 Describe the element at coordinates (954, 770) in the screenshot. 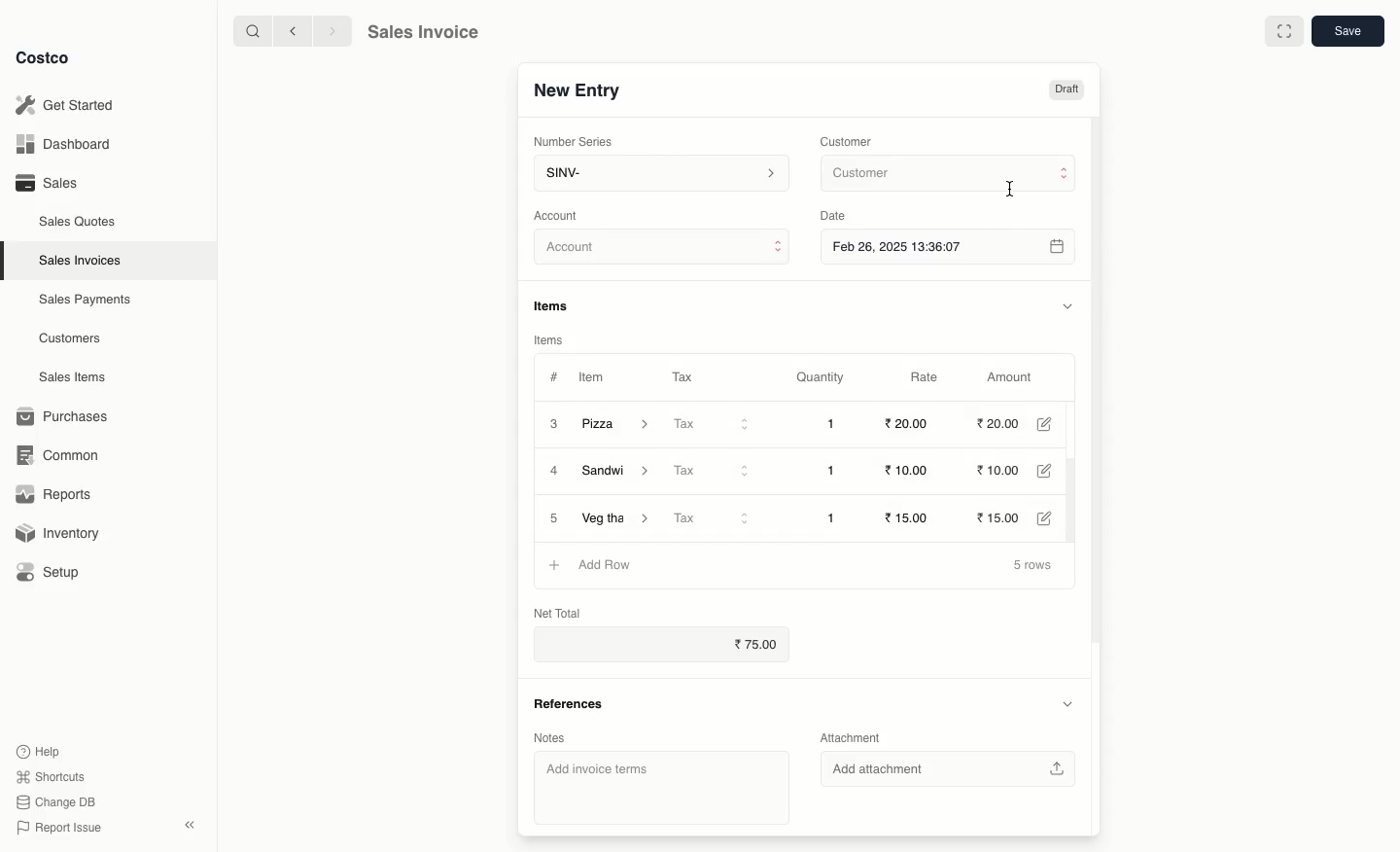

I see `‘Add attachment` at that location.